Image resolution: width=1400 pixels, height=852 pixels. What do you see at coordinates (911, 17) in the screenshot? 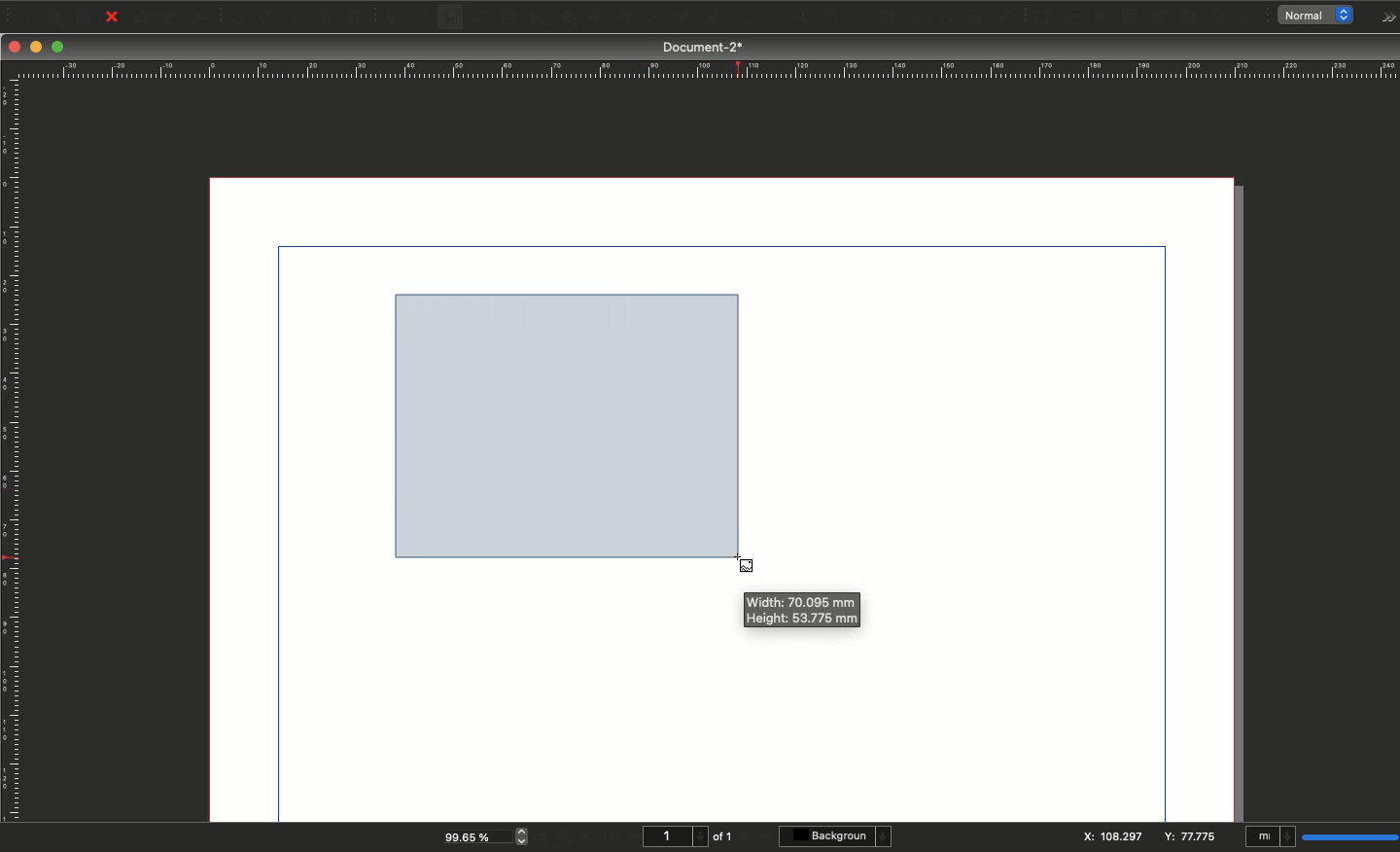
I see `Unlink text frames` at bounding box center [911, 17].